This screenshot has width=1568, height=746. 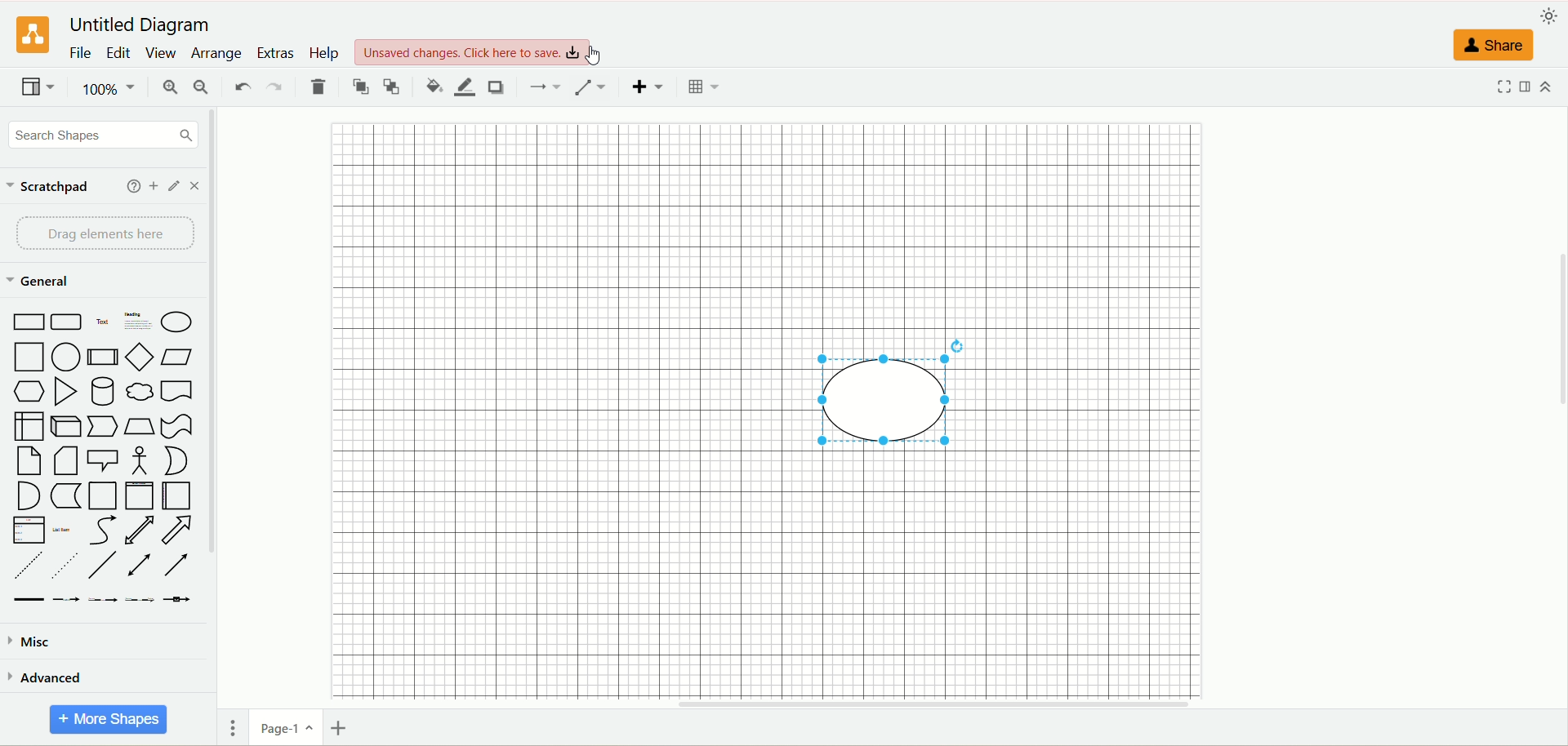 I want to click on view, so click(x=163, y=51).